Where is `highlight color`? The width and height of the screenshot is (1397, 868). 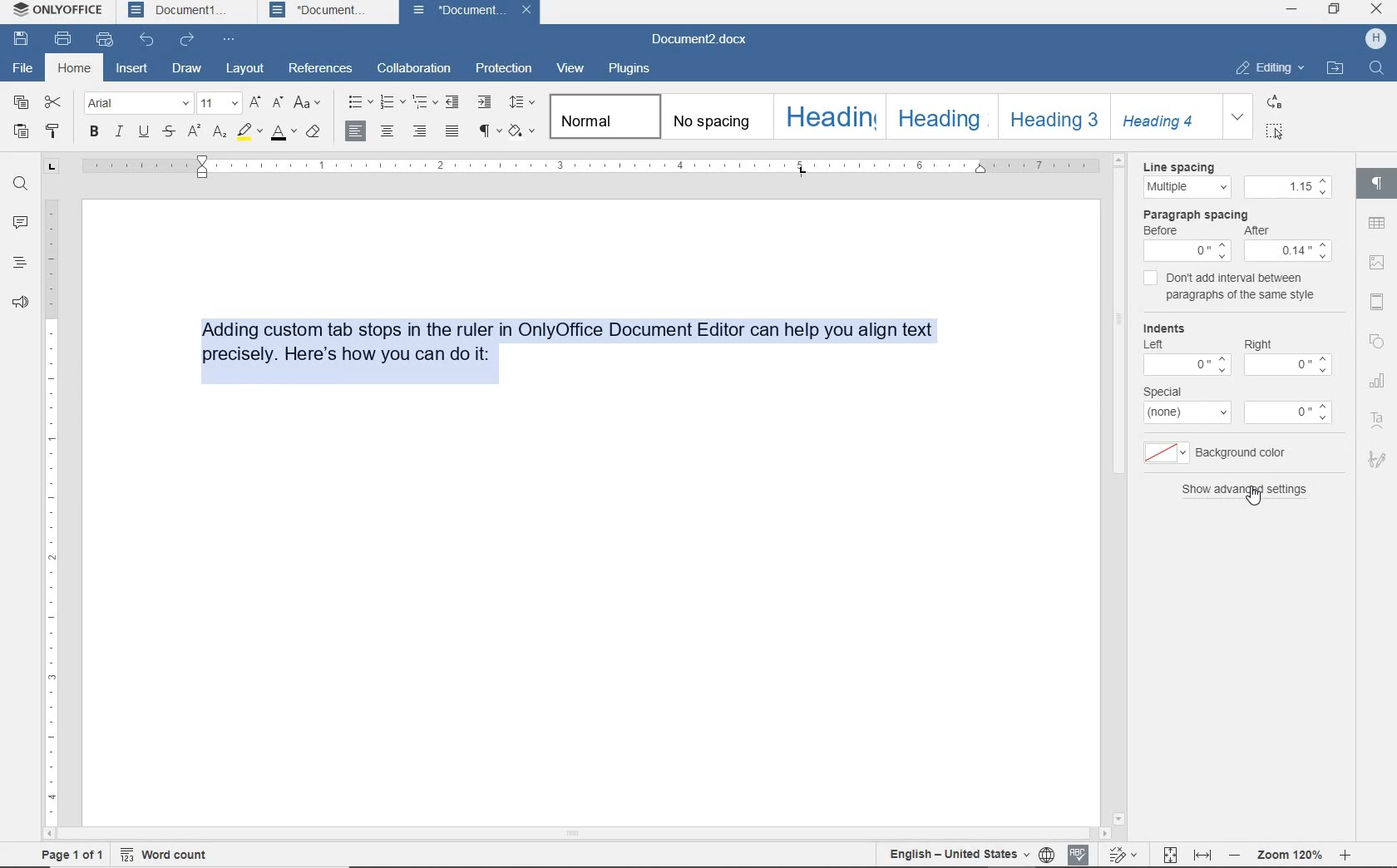 highlight color is located at coordinates (249, 133).